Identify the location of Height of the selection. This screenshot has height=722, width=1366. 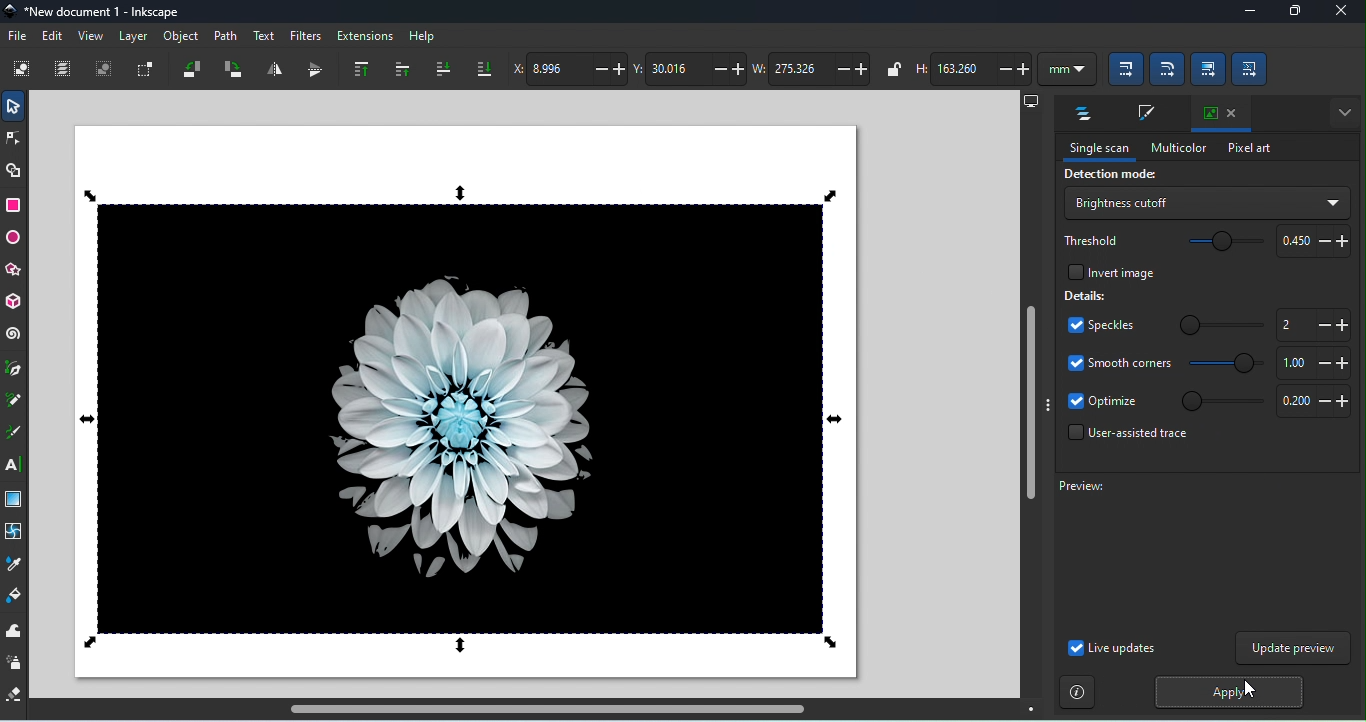
(973, 68).